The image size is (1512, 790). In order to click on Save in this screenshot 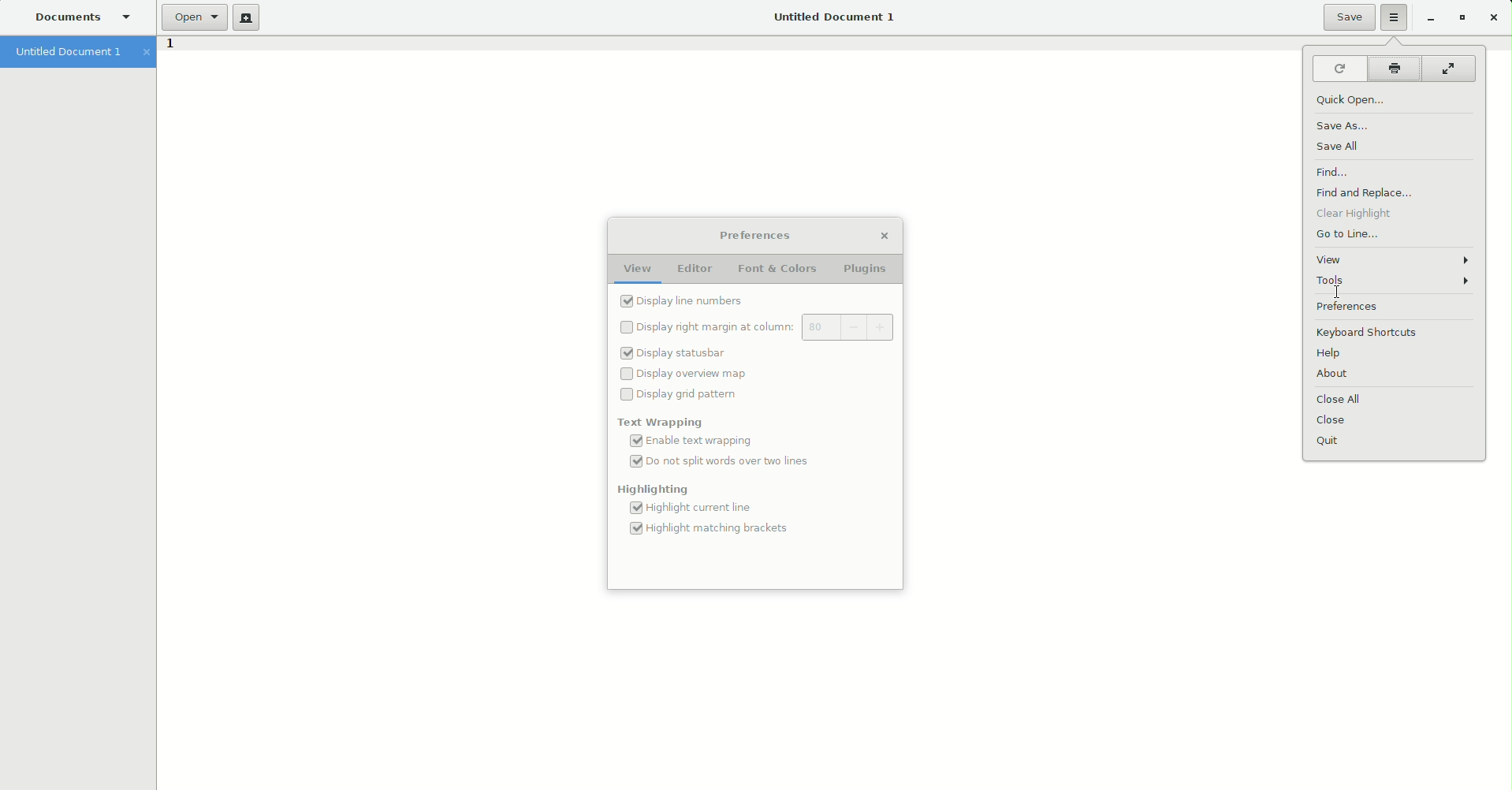, I will do `click(1349, 17)`.